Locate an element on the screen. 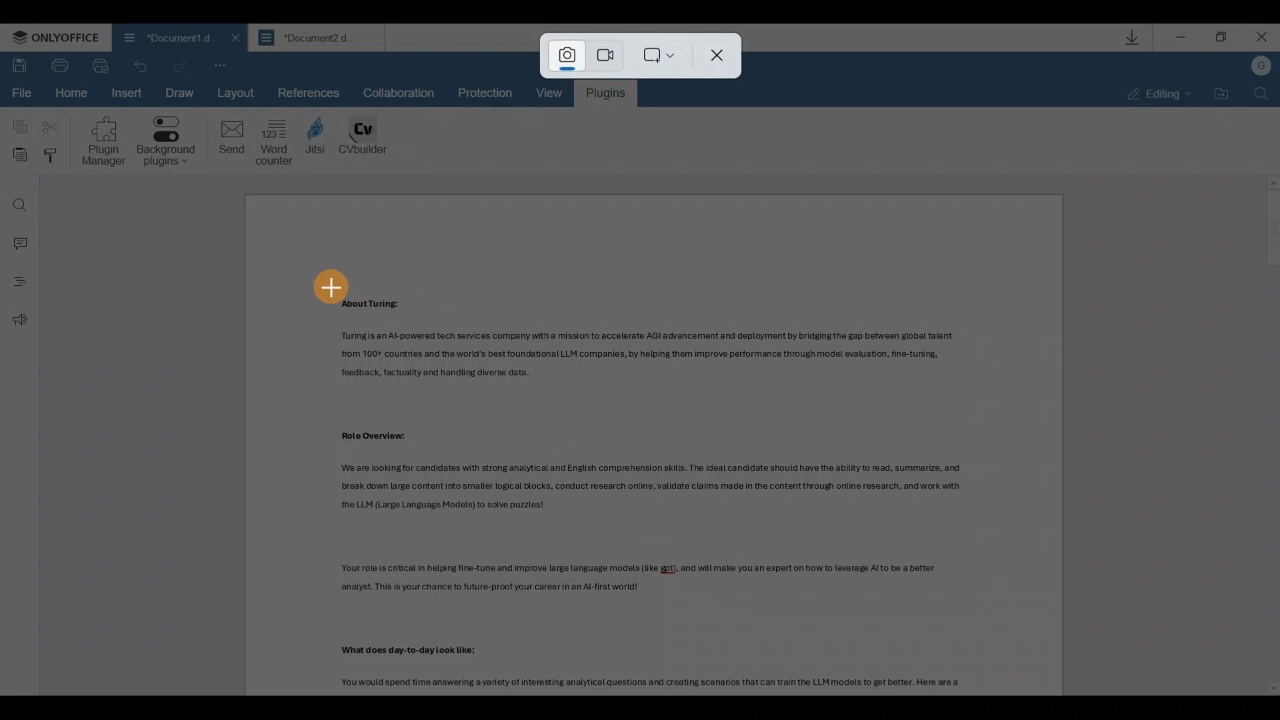  CV builder is located at coordinates (364, 139).